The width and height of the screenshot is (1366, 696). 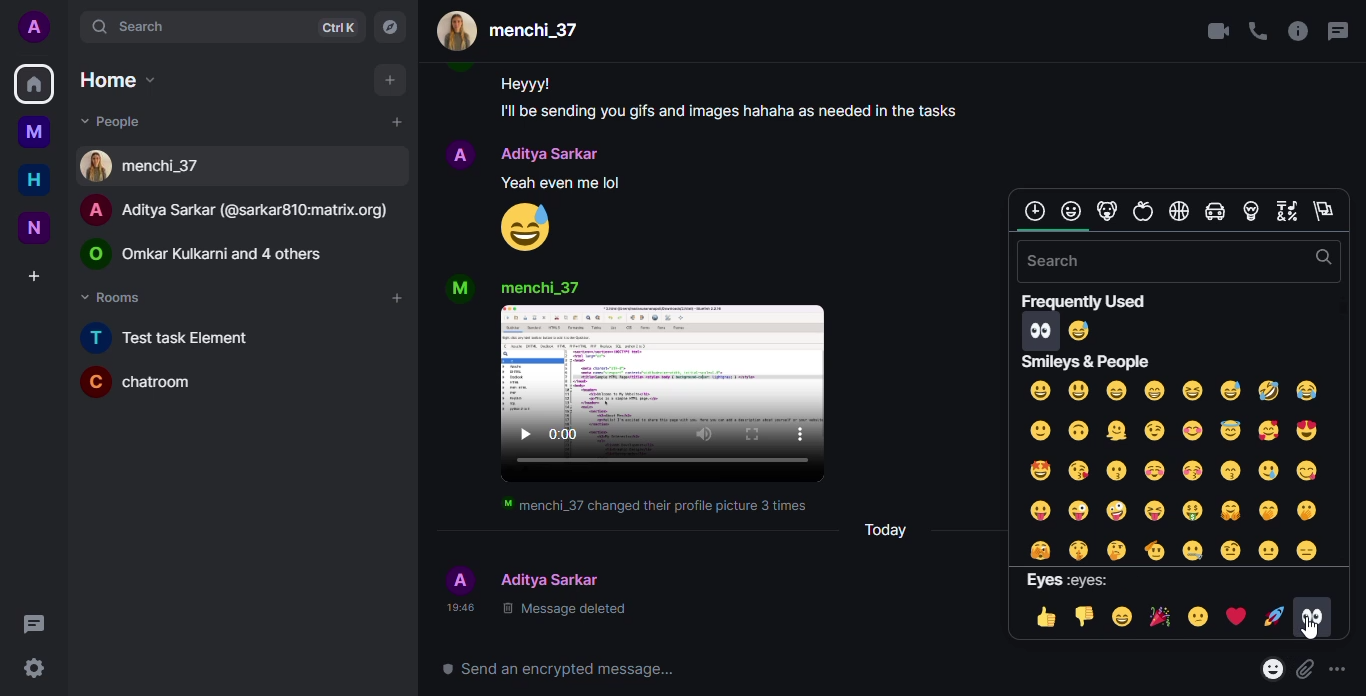 What do you see at coordinates (1210, 30) in the screenshot?
I see `video call` at bounding box center [1210, 30].